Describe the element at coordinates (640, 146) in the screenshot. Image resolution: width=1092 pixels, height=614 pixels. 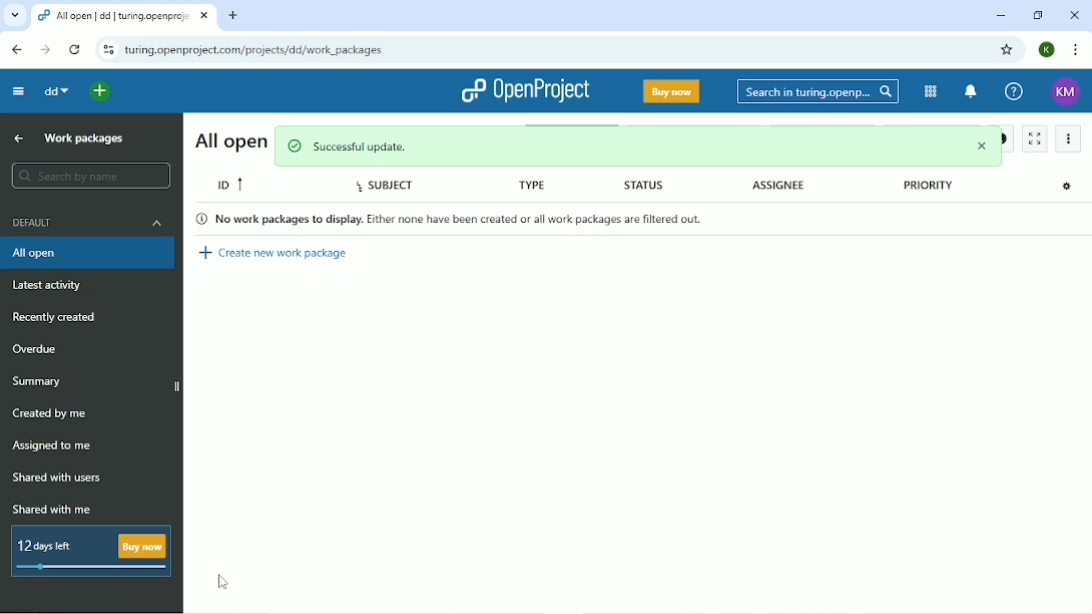
I see `Successful update` at that location.